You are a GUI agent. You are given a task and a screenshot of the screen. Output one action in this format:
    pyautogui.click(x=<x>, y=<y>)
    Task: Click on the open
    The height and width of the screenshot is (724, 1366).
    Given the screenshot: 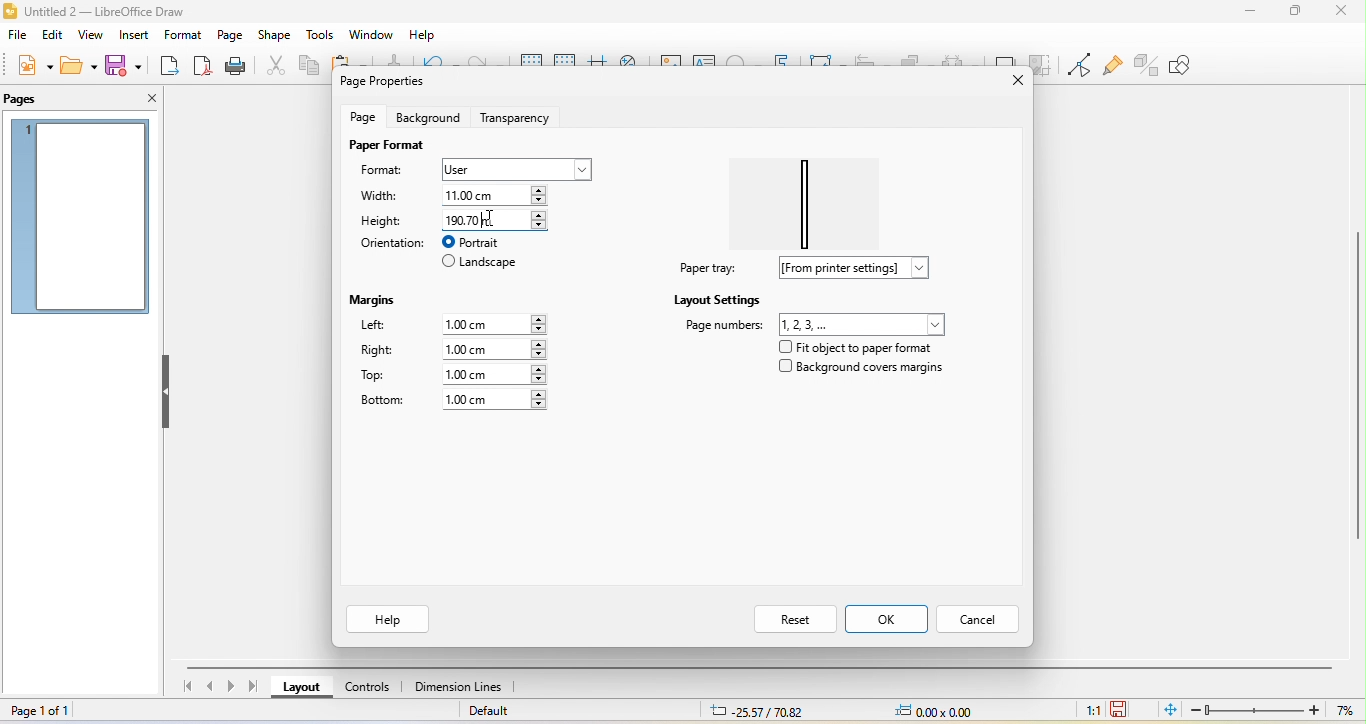 What is the action you would take?
    pyautogui.click(x=77, y=65)
    